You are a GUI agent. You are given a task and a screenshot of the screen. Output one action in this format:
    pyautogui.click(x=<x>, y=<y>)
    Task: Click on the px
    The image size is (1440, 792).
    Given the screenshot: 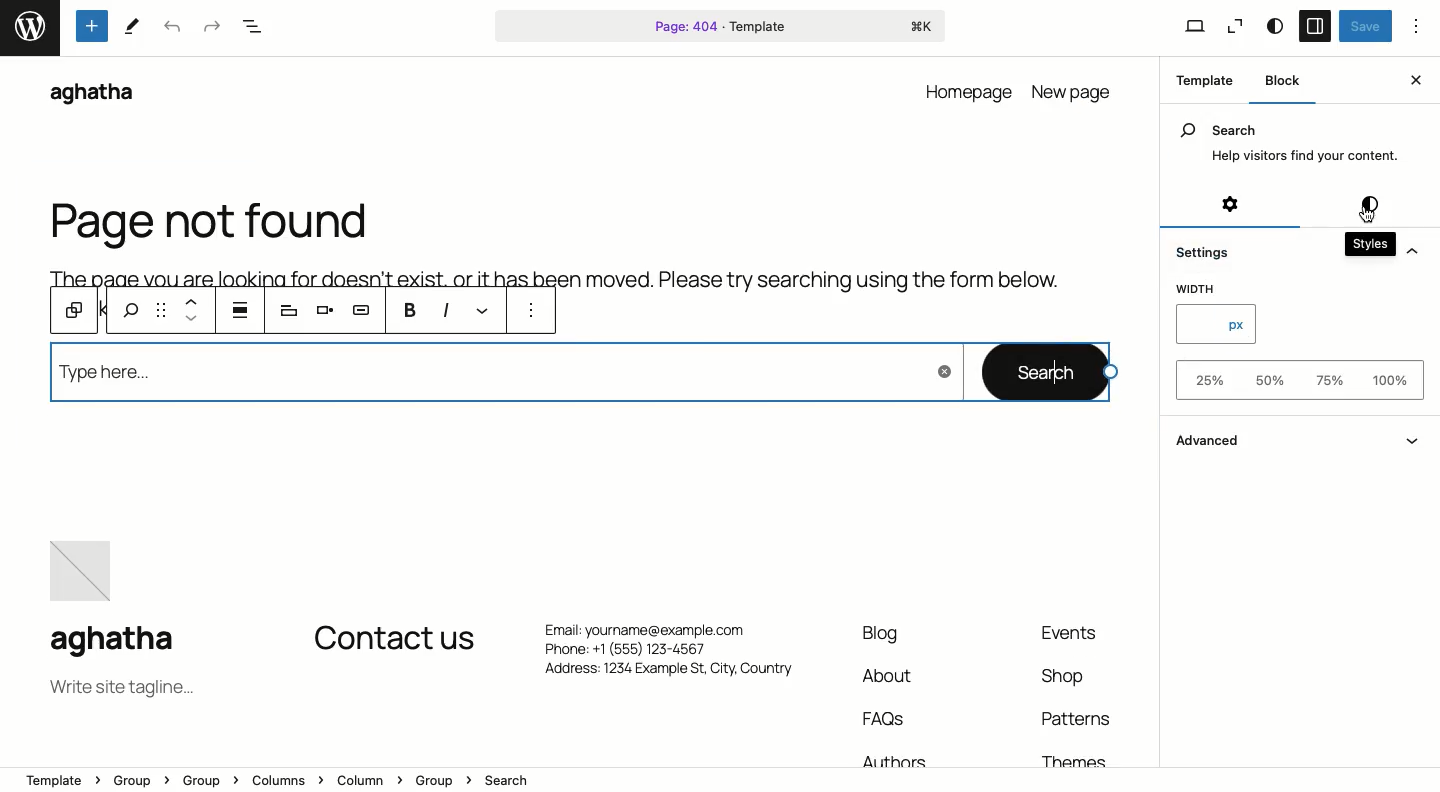 What is the action you would take?
    pyautogui.click(x=1221, y=324)
    